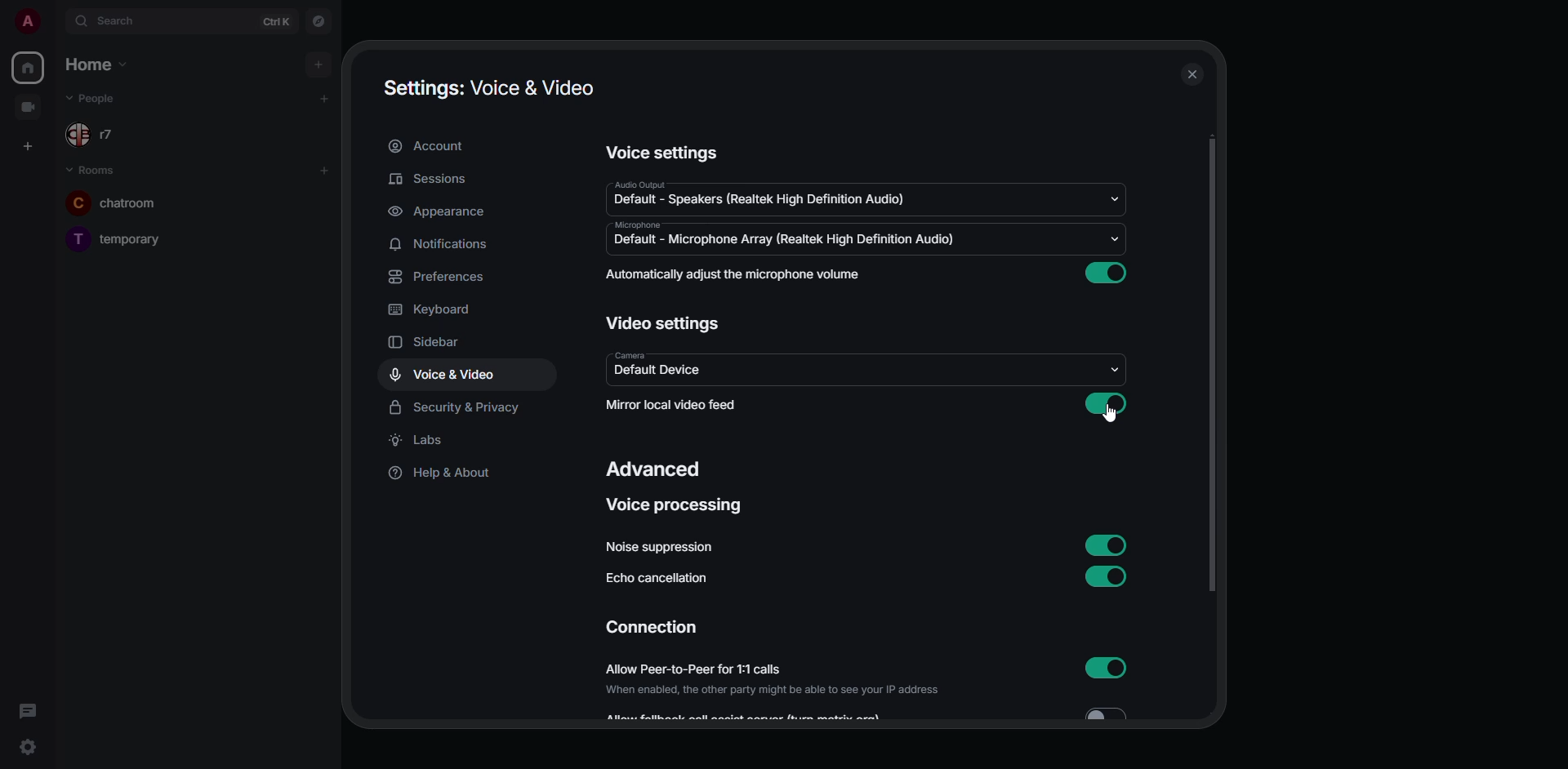 The image size is (1568, 769). Describe the element at coordinates (425, 442) in the screenshot. I see `labs` at that location.